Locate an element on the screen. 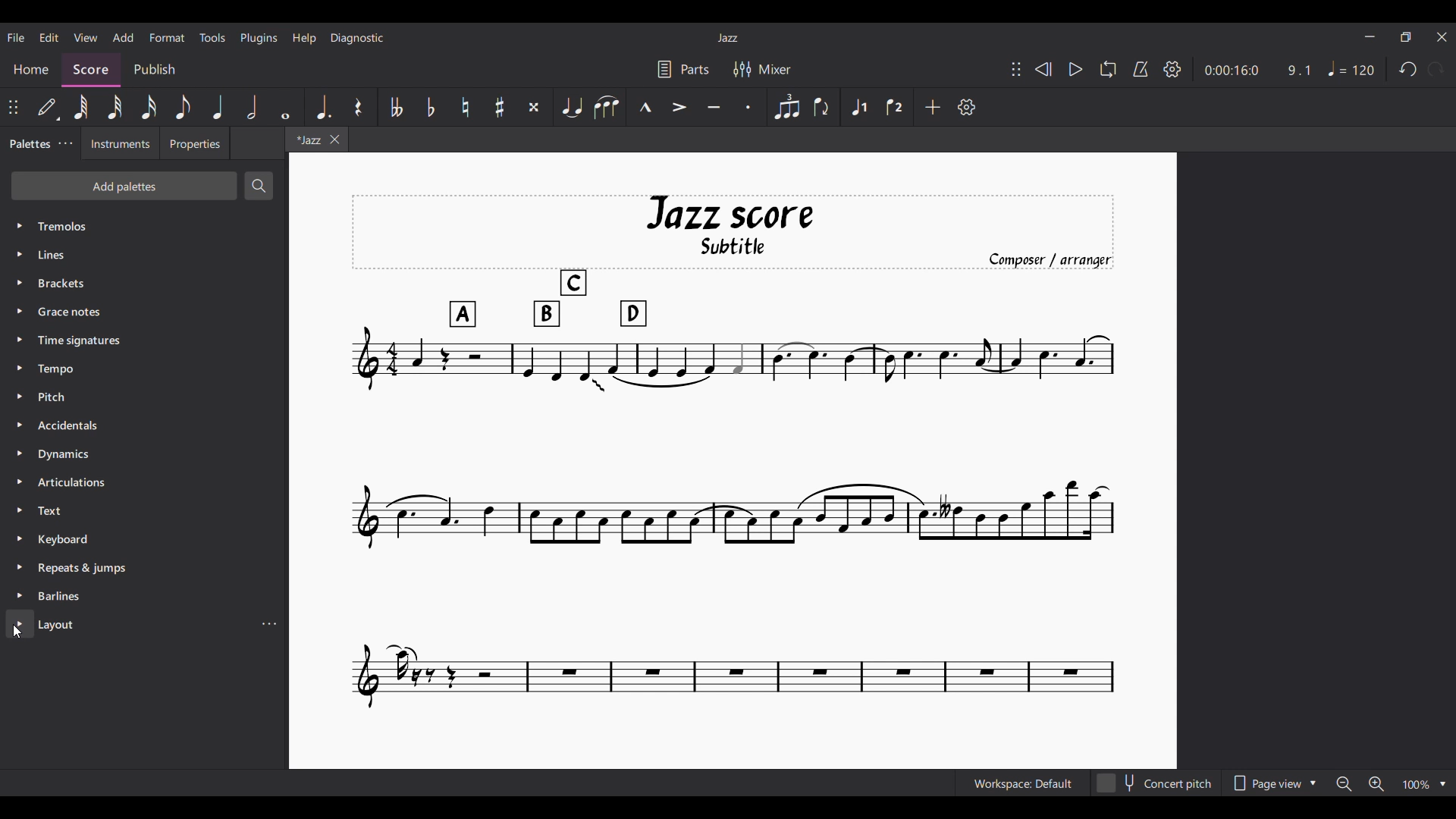 The image size is (1456, 819). Close tab is located at coordinates (335, 140).